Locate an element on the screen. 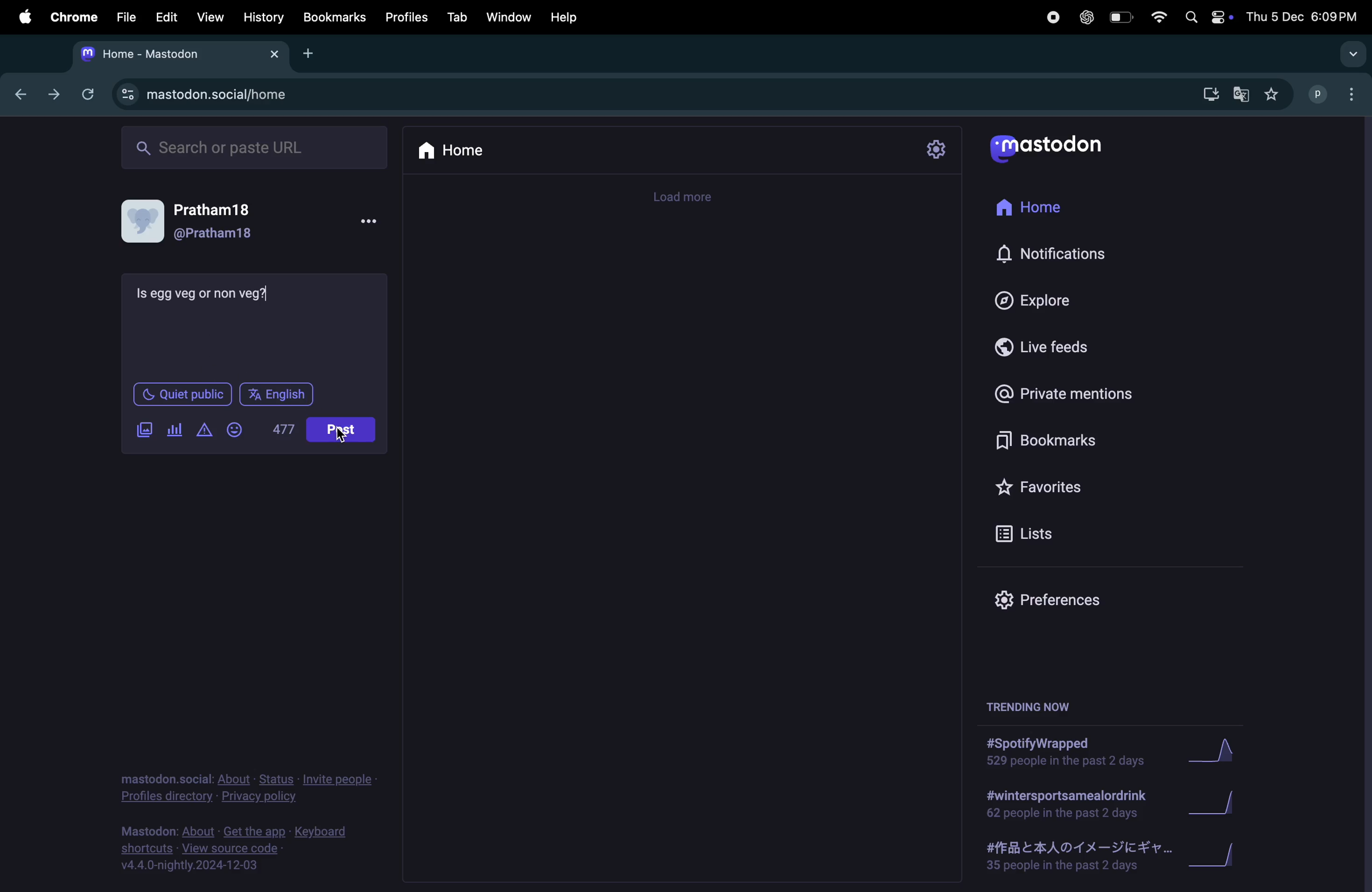 Image resolution: width=1372 pixels, height=892 pixels. privacy is located at coordinates (241, 789).